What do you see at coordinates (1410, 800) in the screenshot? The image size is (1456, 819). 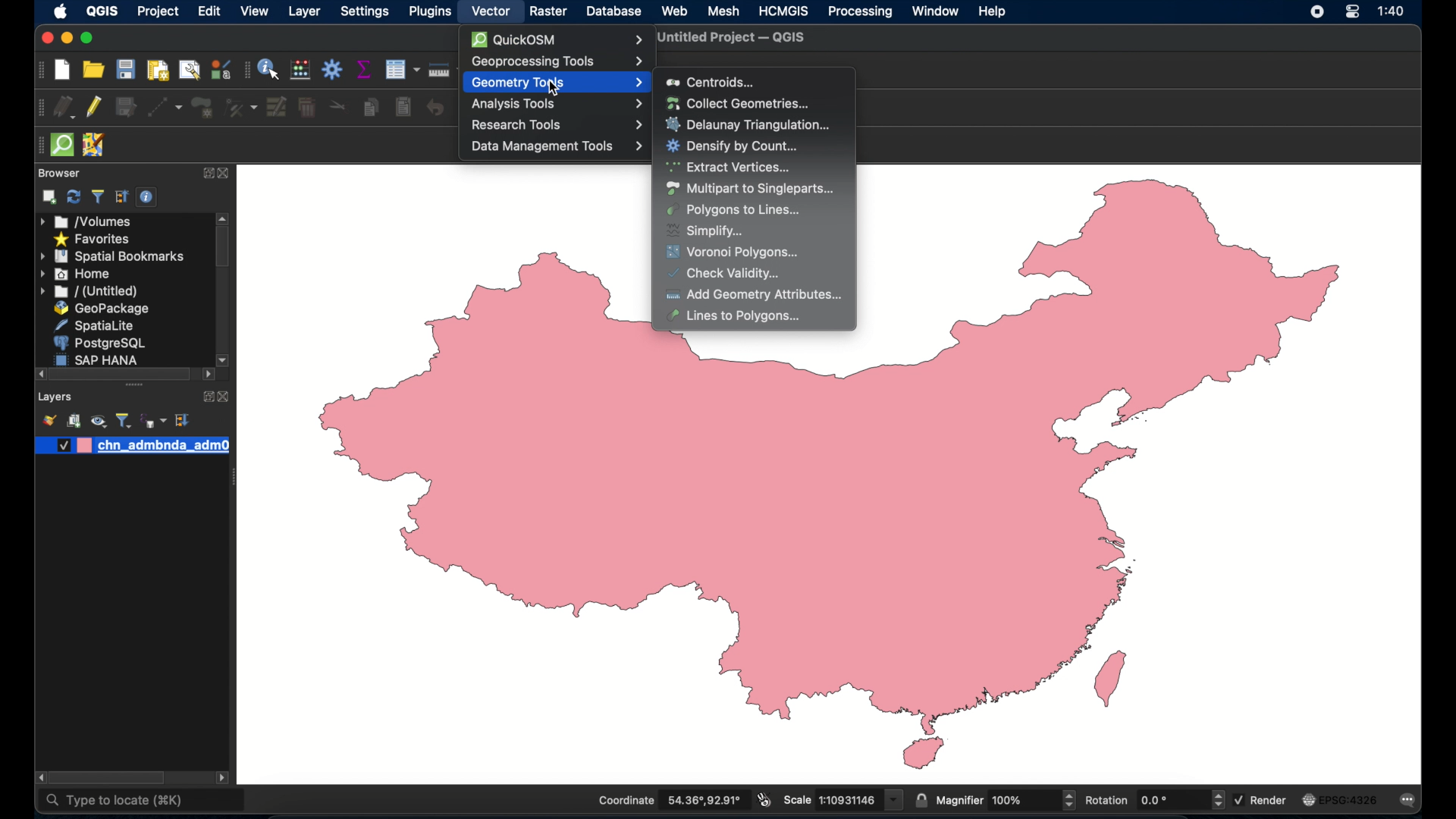 I see `messages` at bounding box center [1410, 800].